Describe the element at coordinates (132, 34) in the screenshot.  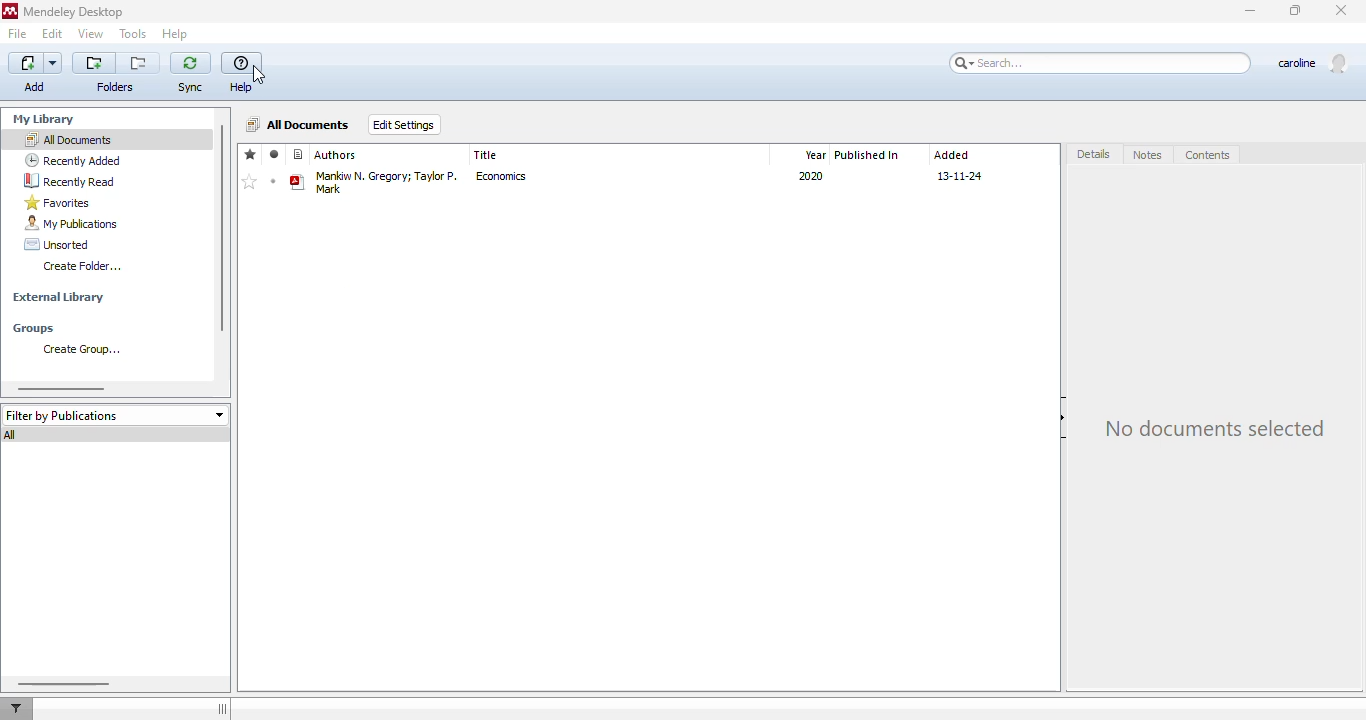
I see `tools` at that location.